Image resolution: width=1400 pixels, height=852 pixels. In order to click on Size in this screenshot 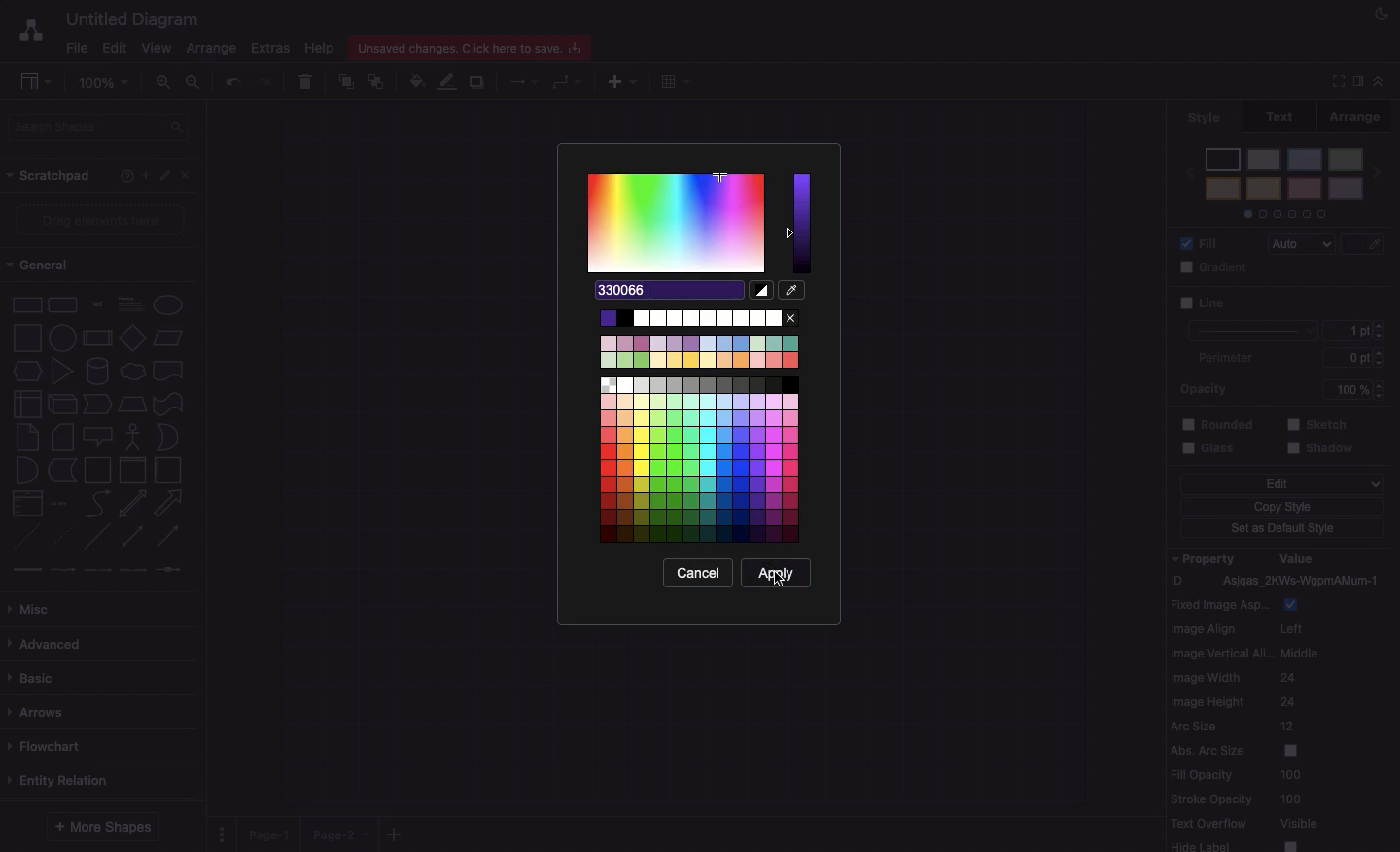, I will do `click(1359, 345)`.